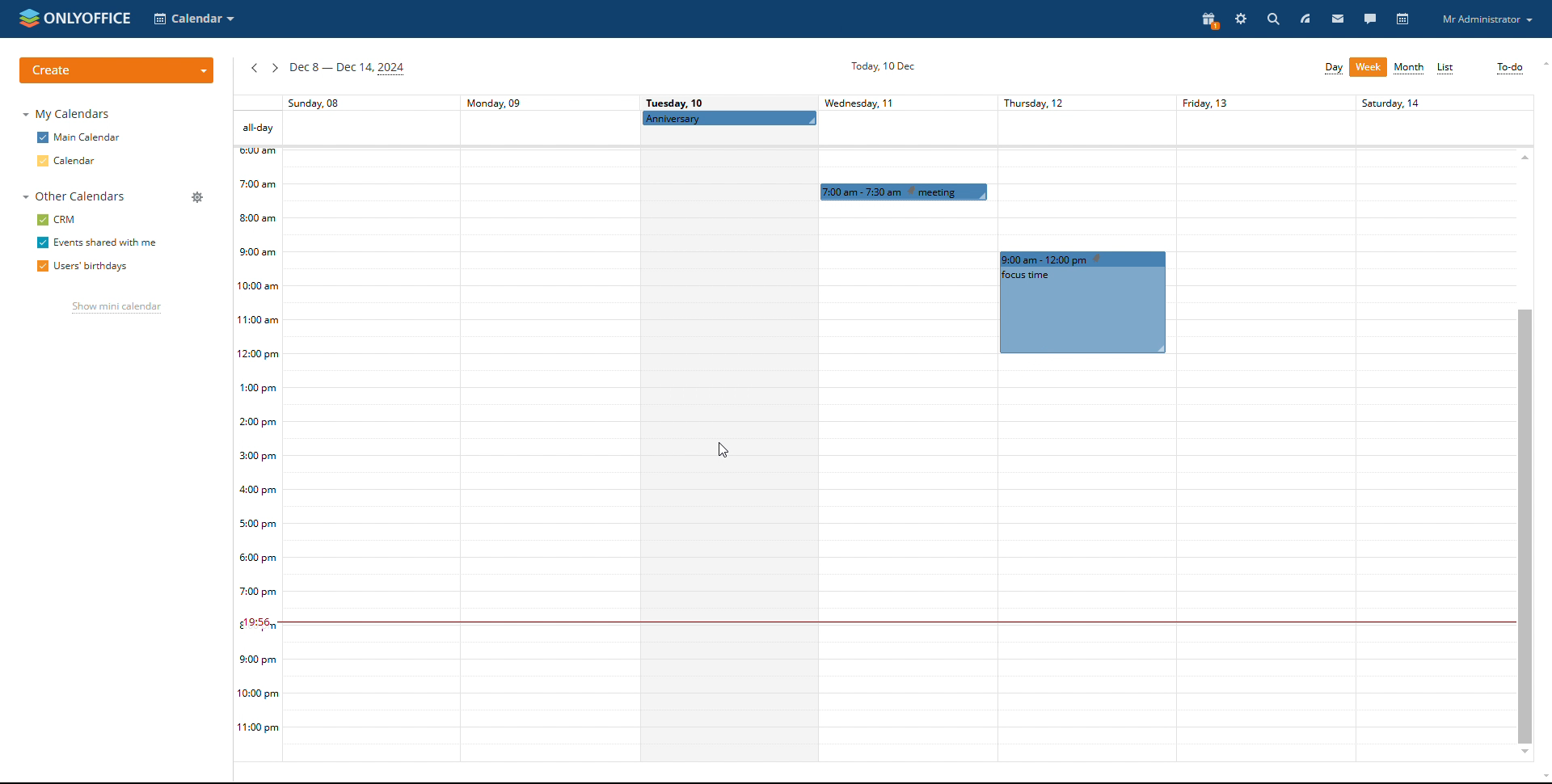  What do you see at coordinates (67, 220) in the screenshot?
I see `crm` at bounding box center [67, 220].